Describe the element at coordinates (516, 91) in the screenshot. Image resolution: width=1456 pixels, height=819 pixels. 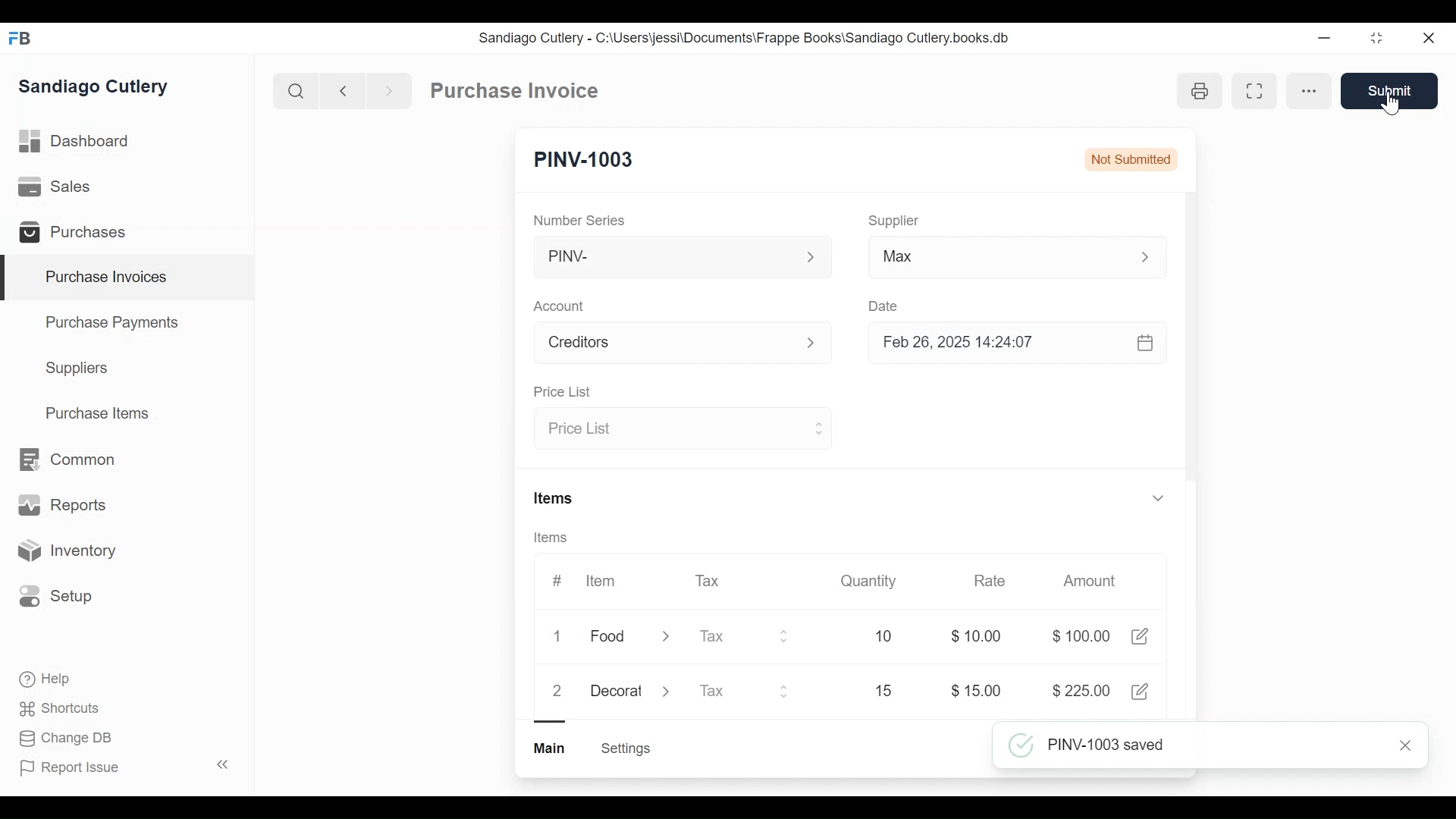
I see `Purchase Invoice` at that location.